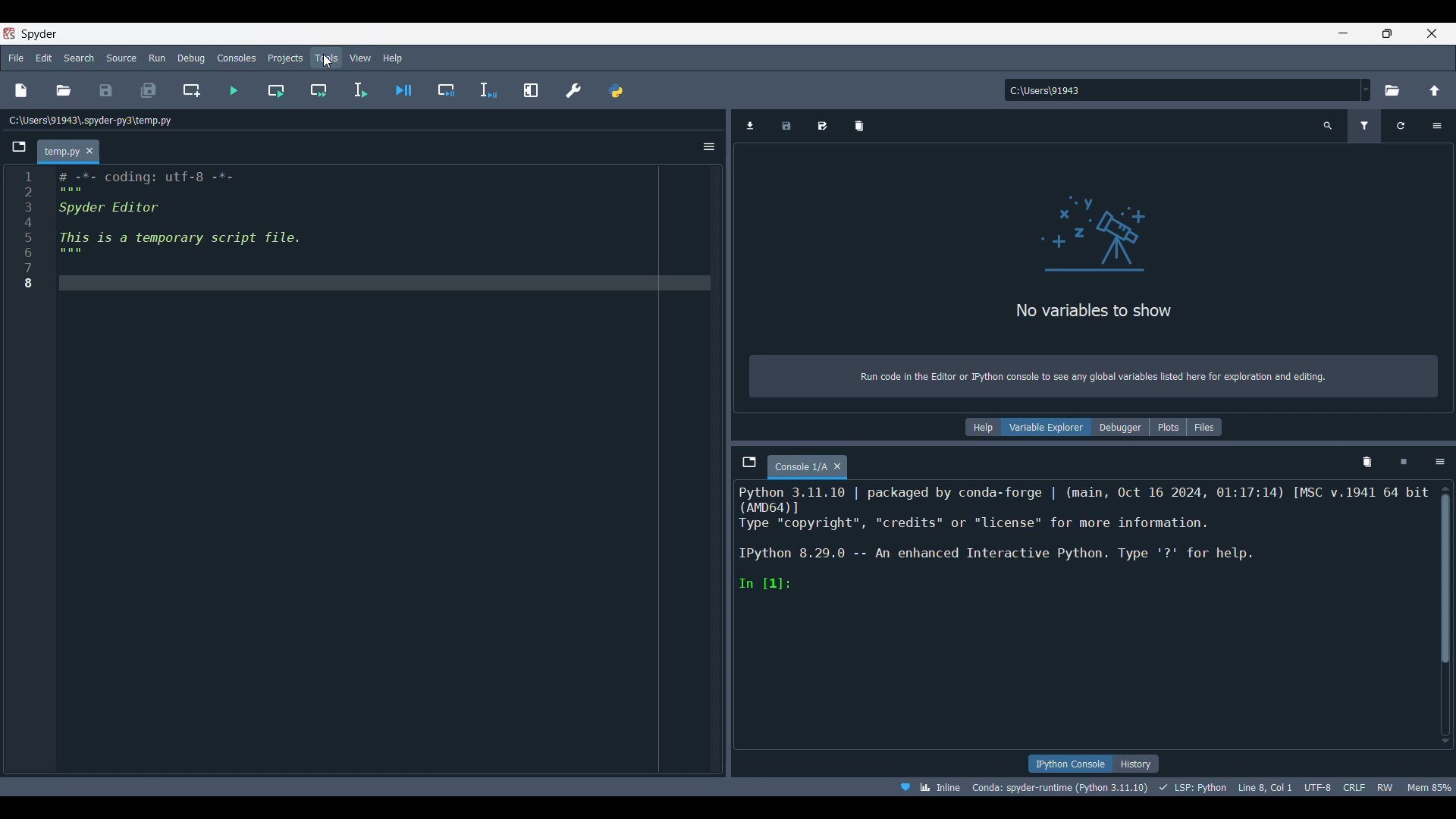 This screenshot has height=819, width=1456. Describe the element at coordinates (365, 231) in the screenshot. I see `Current code` at that location.